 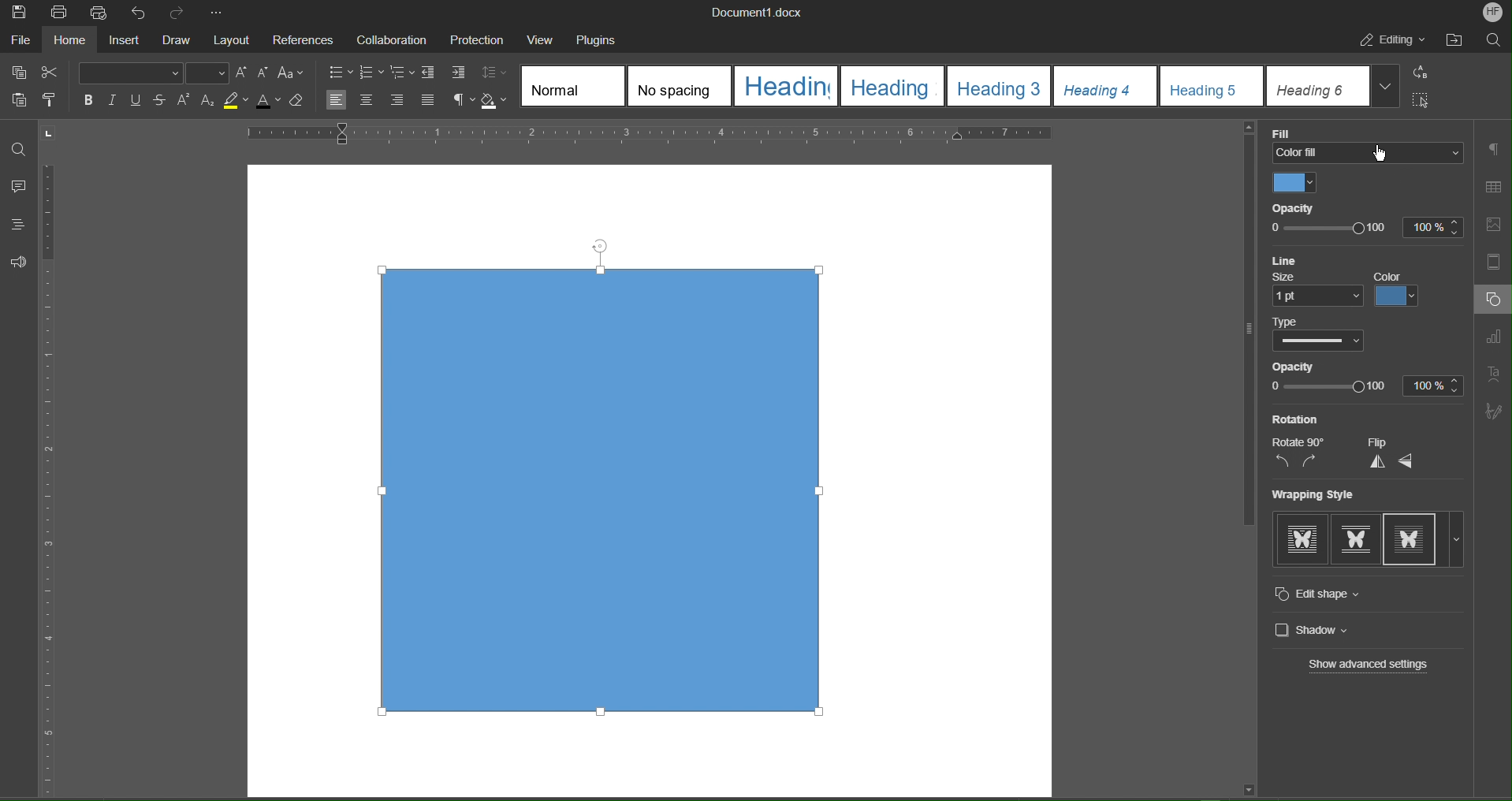 I want to click on Paragraph Settings, so click(x=1495, y=149).